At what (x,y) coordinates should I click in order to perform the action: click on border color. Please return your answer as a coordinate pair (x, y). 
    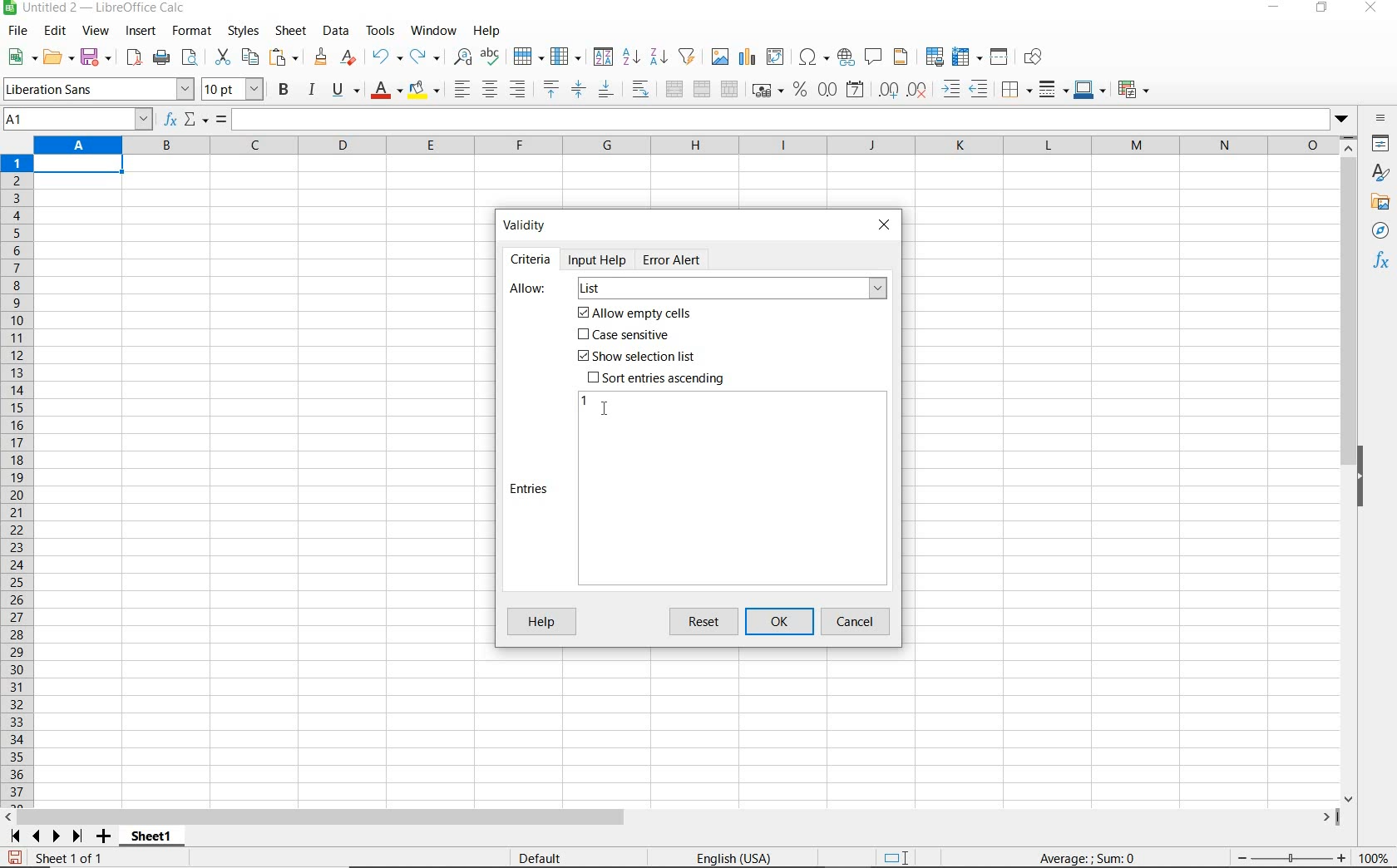
    Looking at the image, I should click on (1089, 89).